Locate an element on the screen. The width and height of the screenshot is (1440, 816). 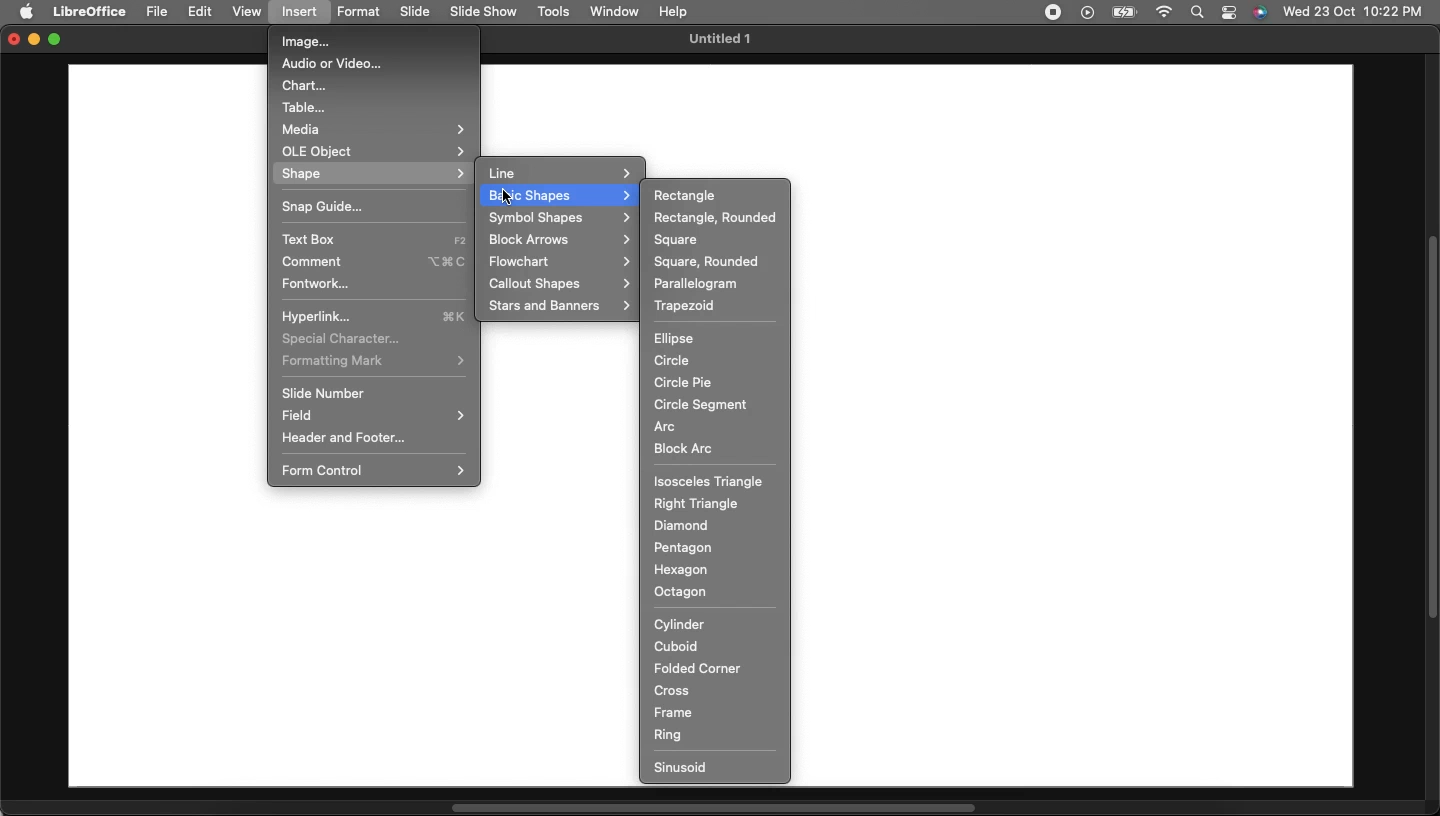
Right triangle is located at coordinates (698, 505).